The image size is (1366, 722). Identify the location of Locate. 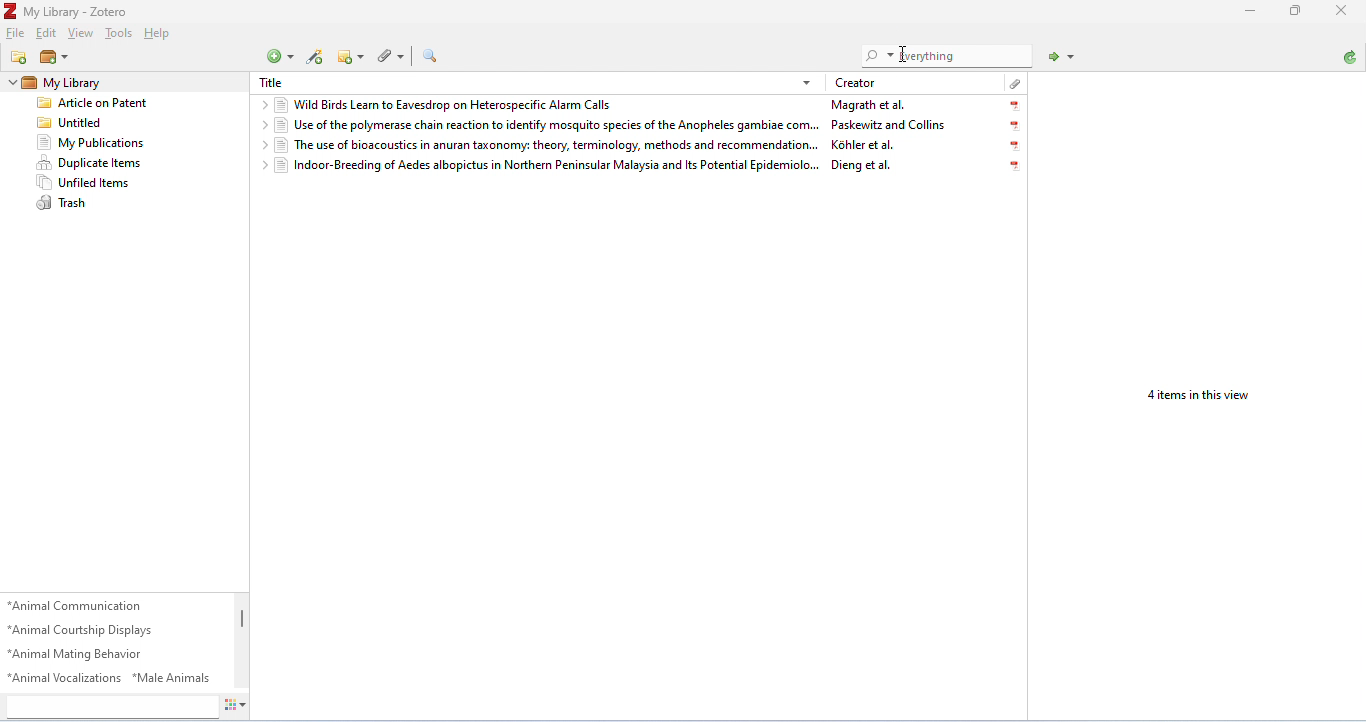
(1062, 57).